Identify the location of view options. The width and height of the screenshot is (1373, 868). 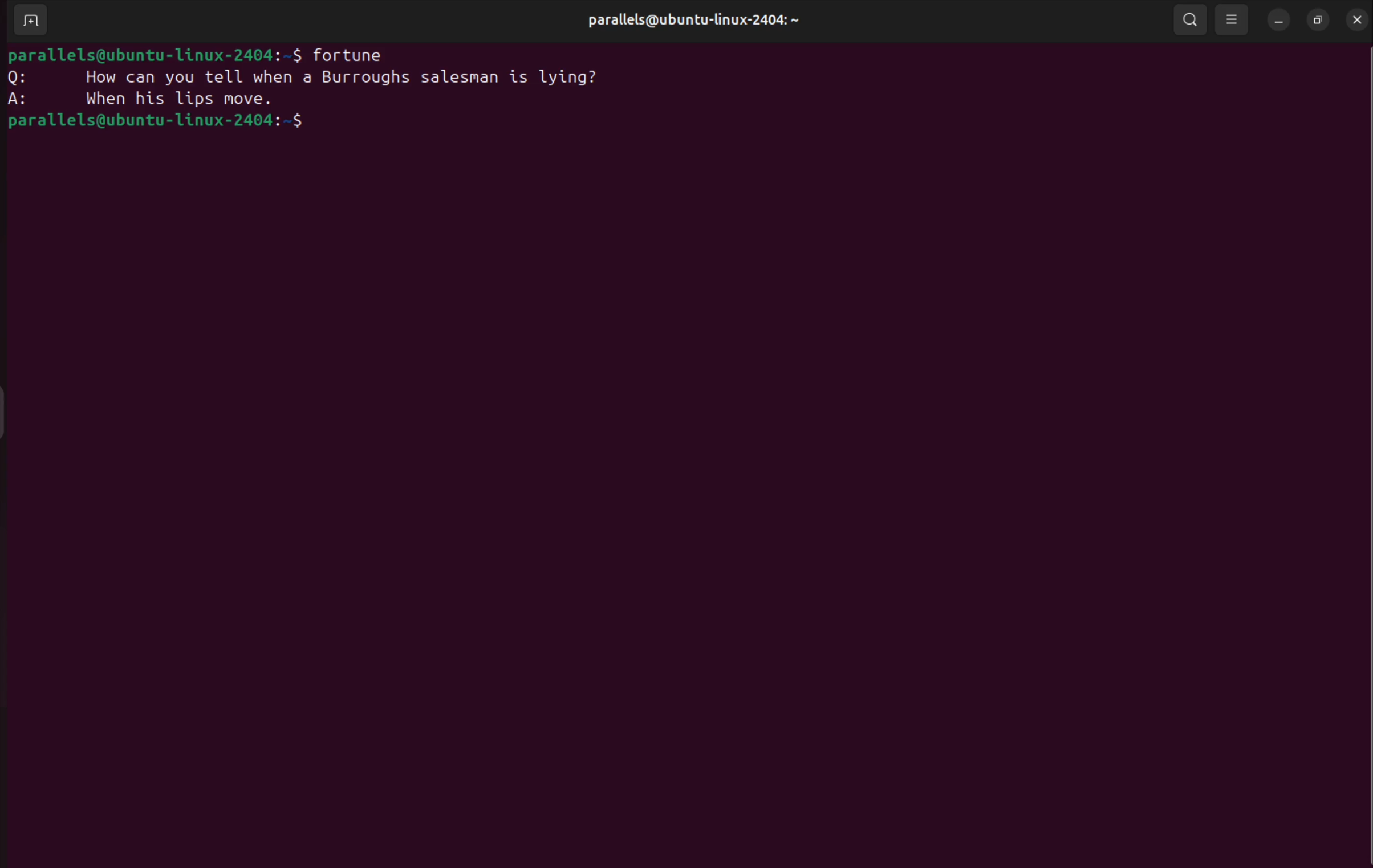
(1233, 19).